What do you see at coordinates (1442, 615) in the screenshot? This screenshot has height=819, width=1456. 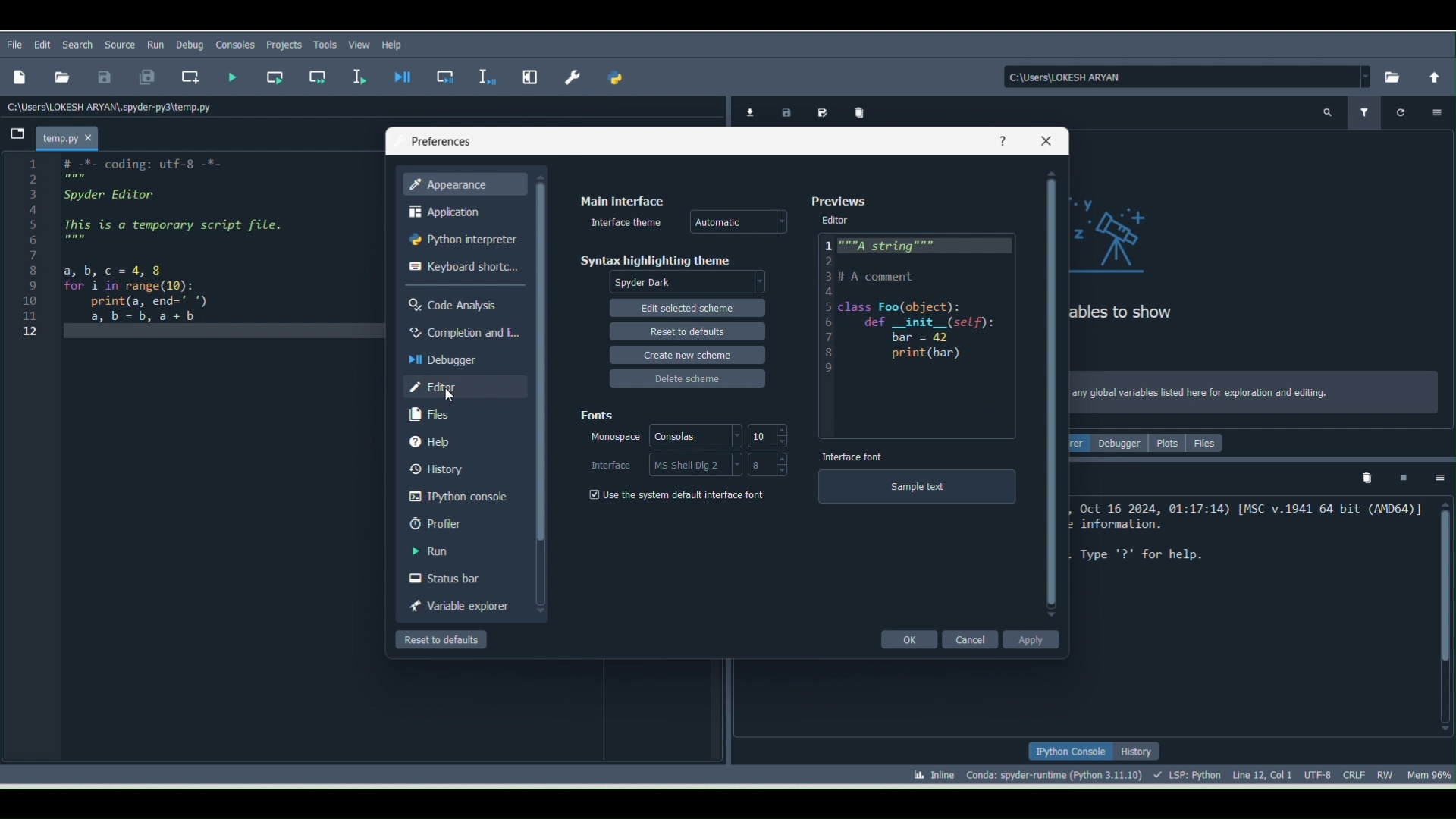 I see `Scrollbar` at bounding box center [1442, 615].